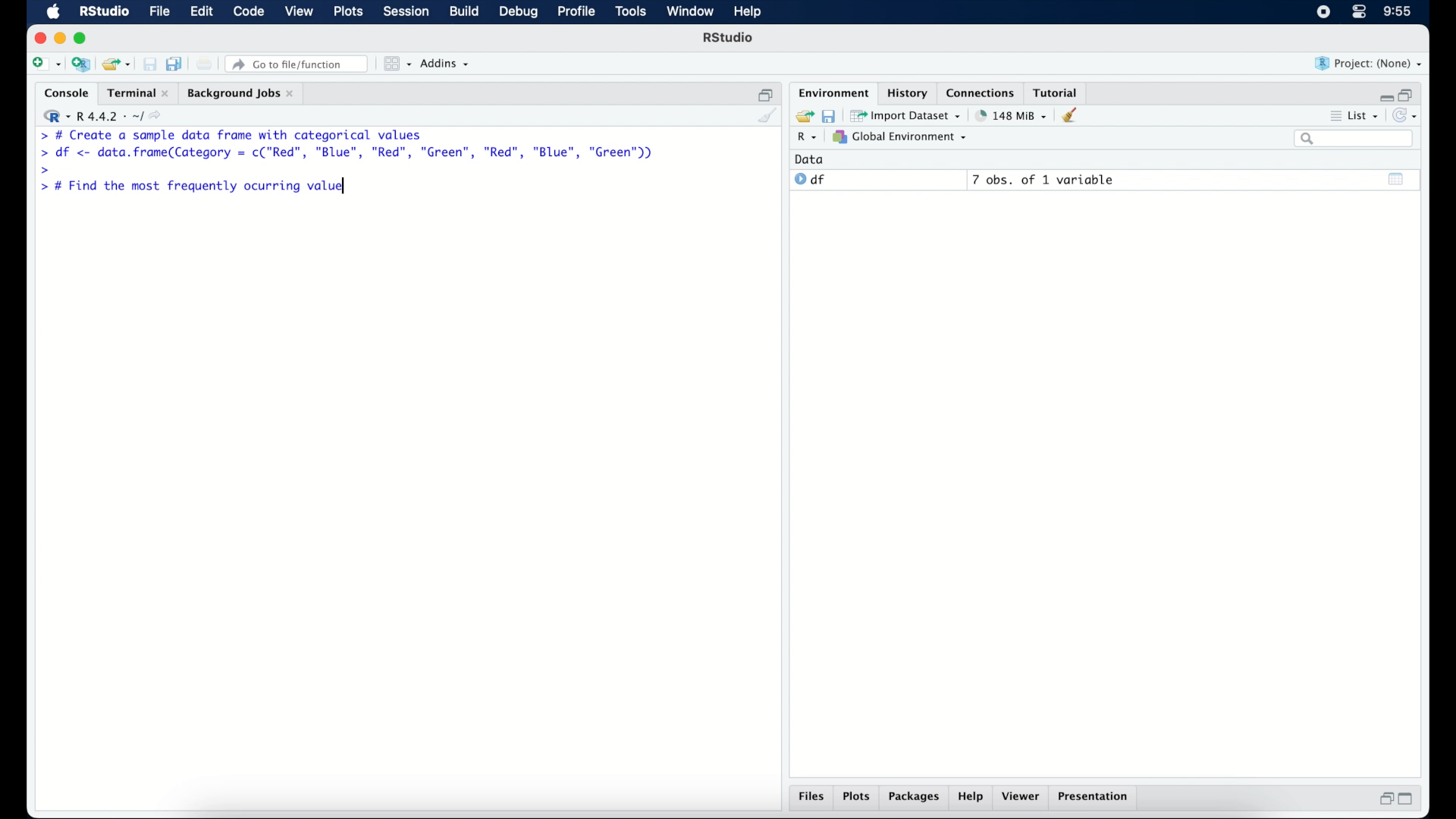  What do you see at coordinates (349, 153) in the screenshot?
I see `> df <- data.frame(Category = c("Red”, "Blue", "Red", "Green", "Red", "Blue", "Green"))|` at bounding box center [349, 153].